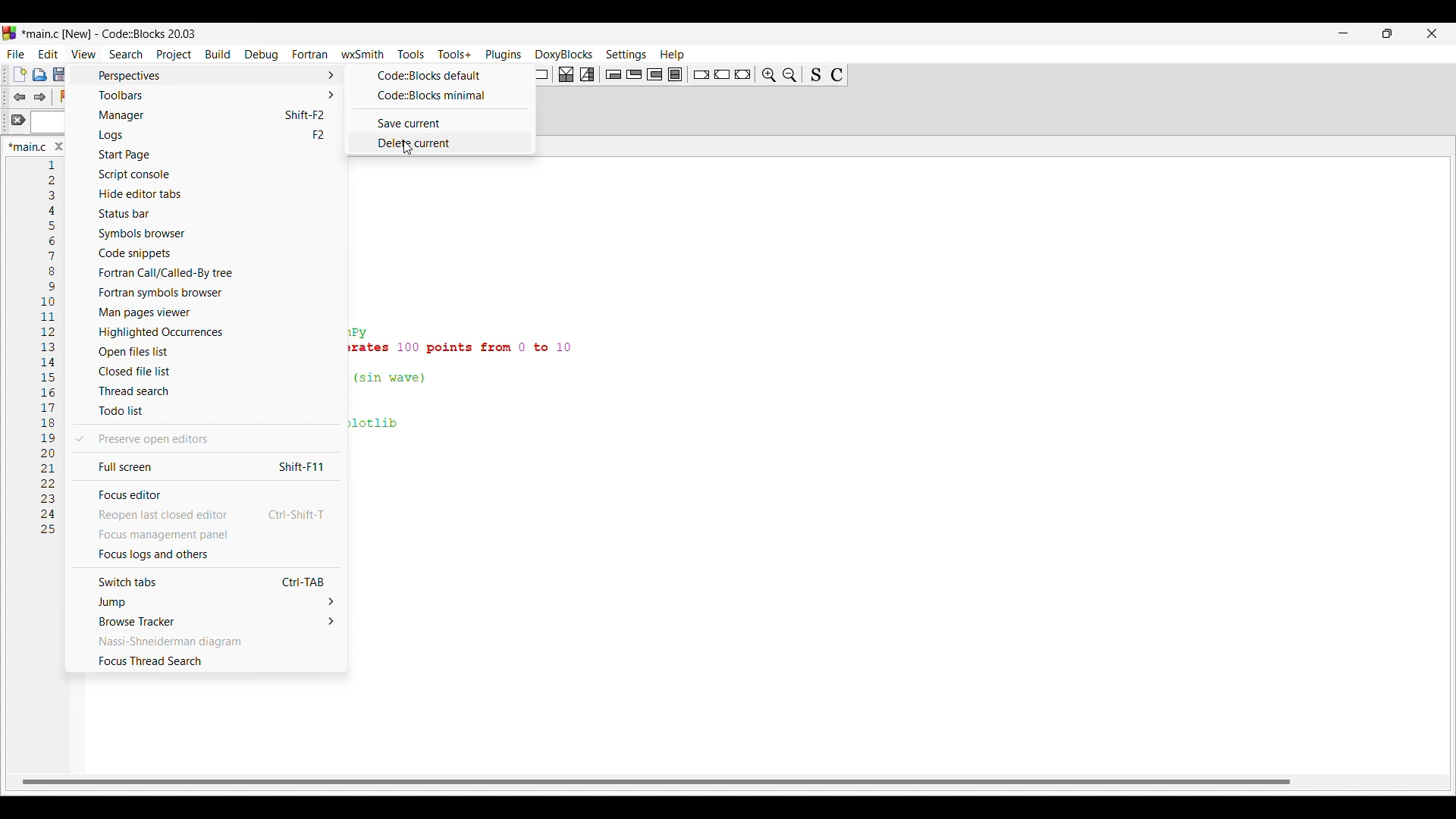 The height and width of the screenshot is (819, 1456). What do you see at coordinates (626, 55) in the screenshot?
I see `Settings menu` at bounding box center [626, 55].